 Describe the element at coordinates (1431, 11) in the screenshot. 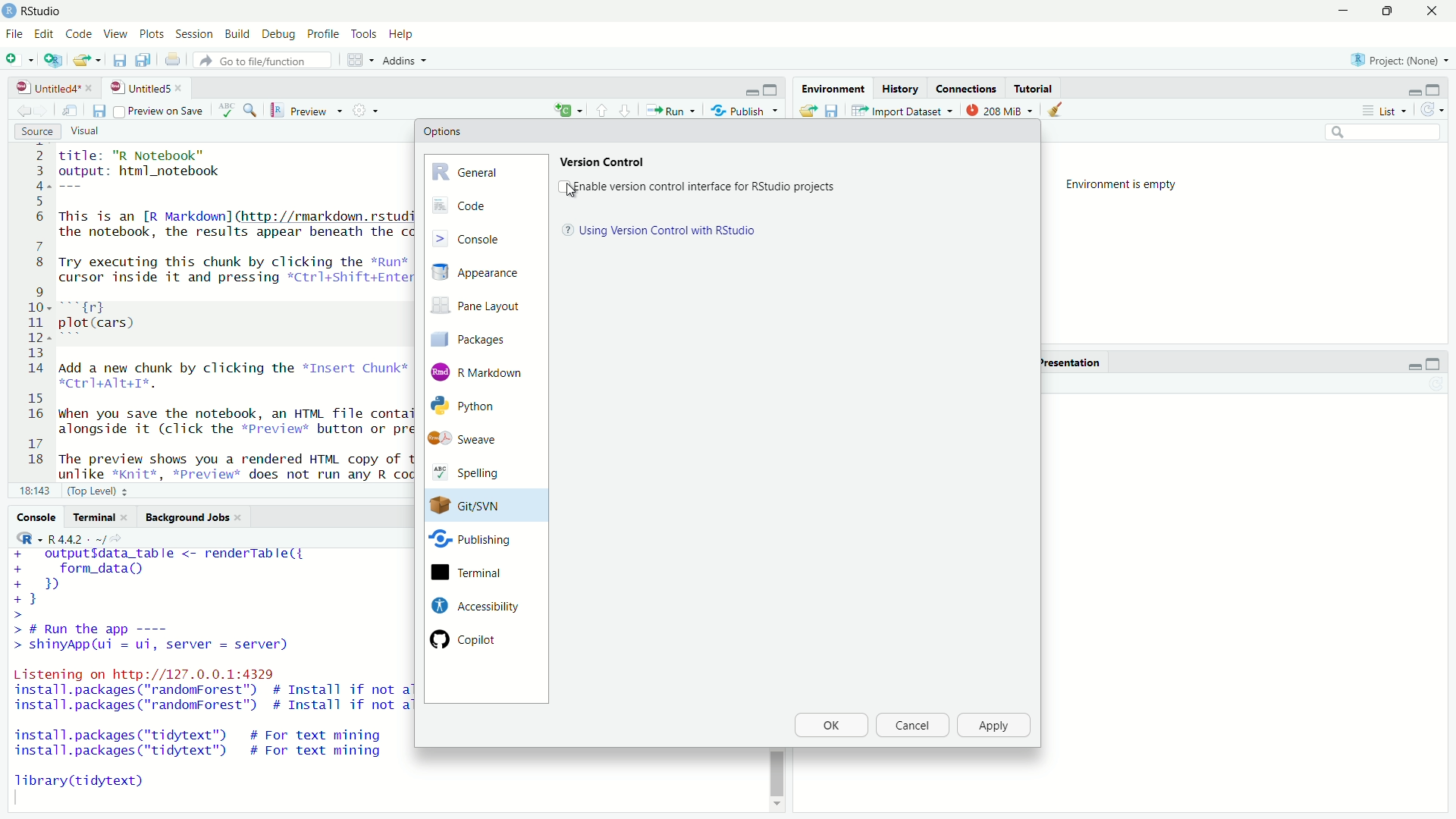

I see `close` at that location.